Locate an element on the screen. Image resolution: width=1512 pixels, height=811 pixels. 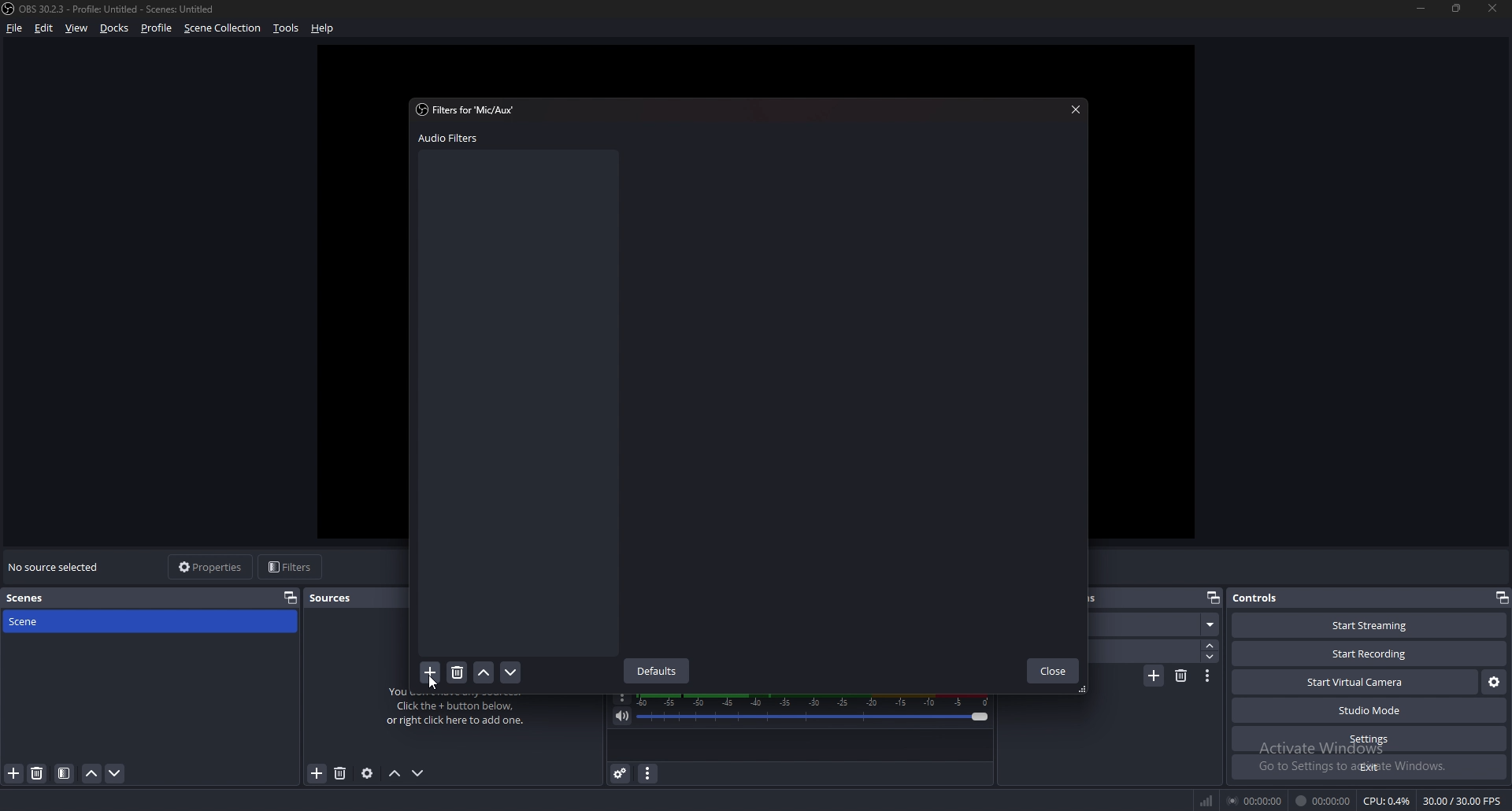
cursor is located at coordinates (436, 682).